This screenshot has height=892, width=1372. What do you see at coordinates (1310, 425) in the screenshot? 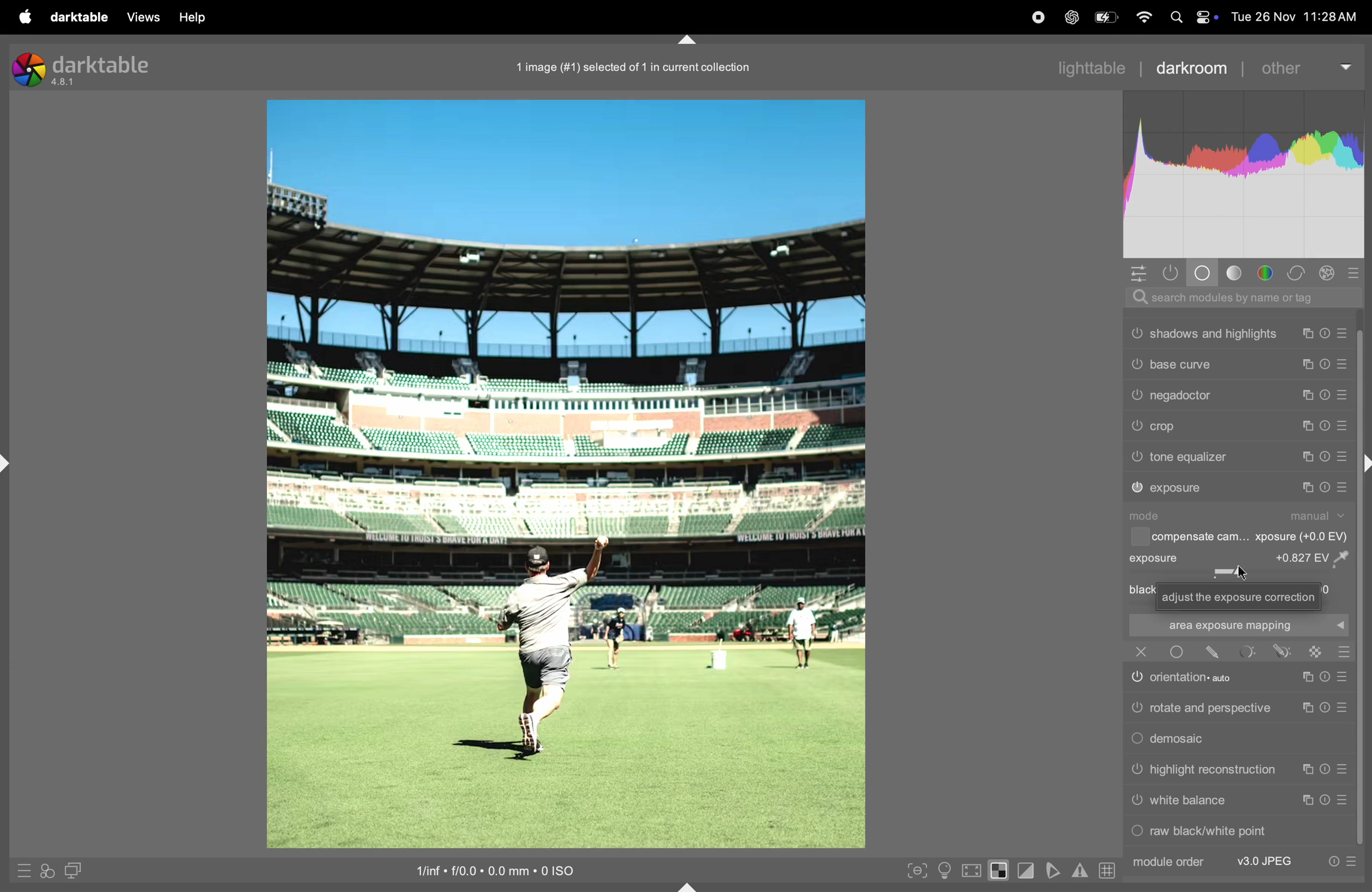
I see `copy` at bounding box center [1310, 425].